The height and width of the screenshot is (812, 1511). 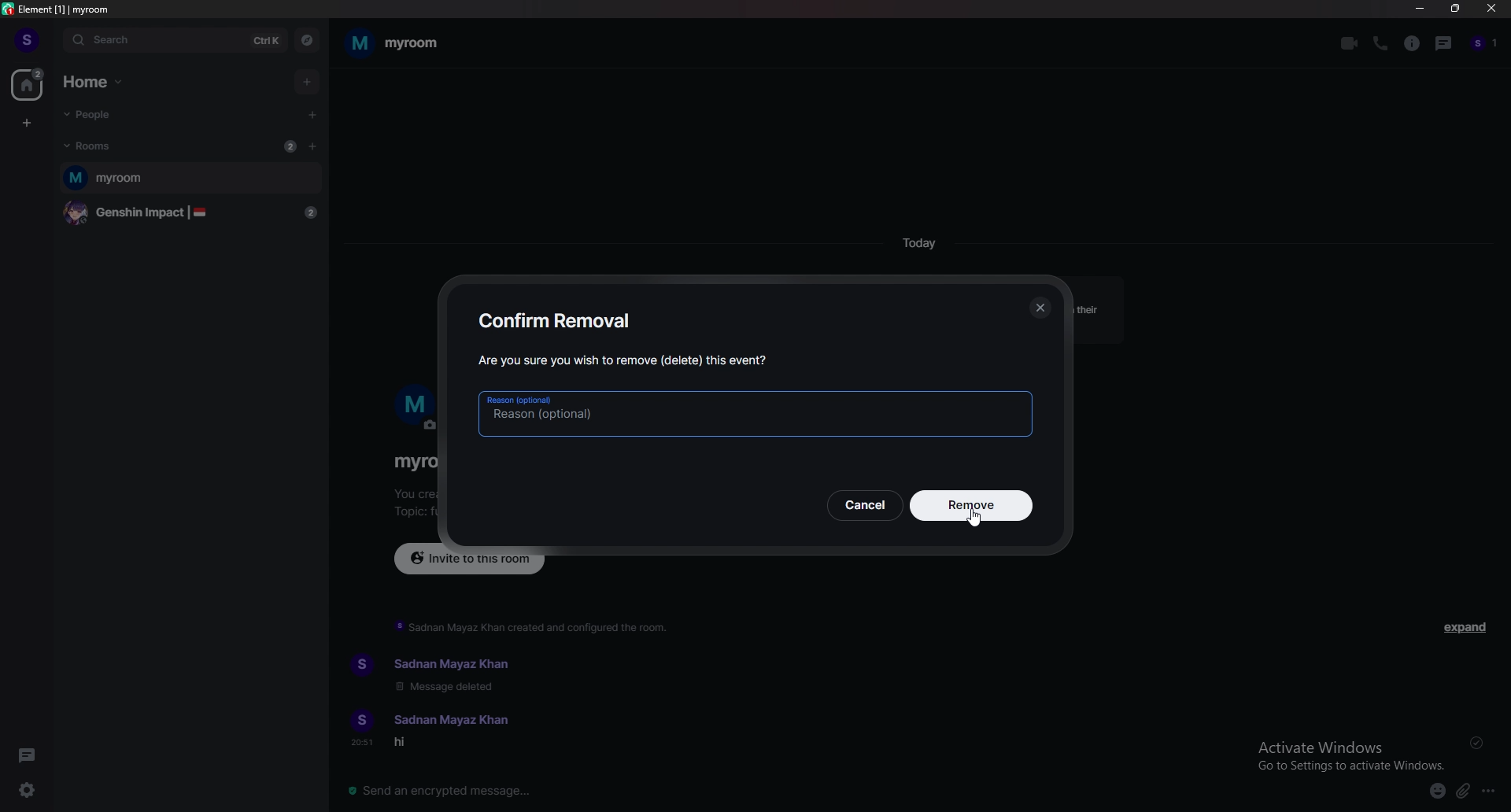 What do you see at coordinates (29, 84) in the screenshot?
I see `home` at bounding box center [29, 84].